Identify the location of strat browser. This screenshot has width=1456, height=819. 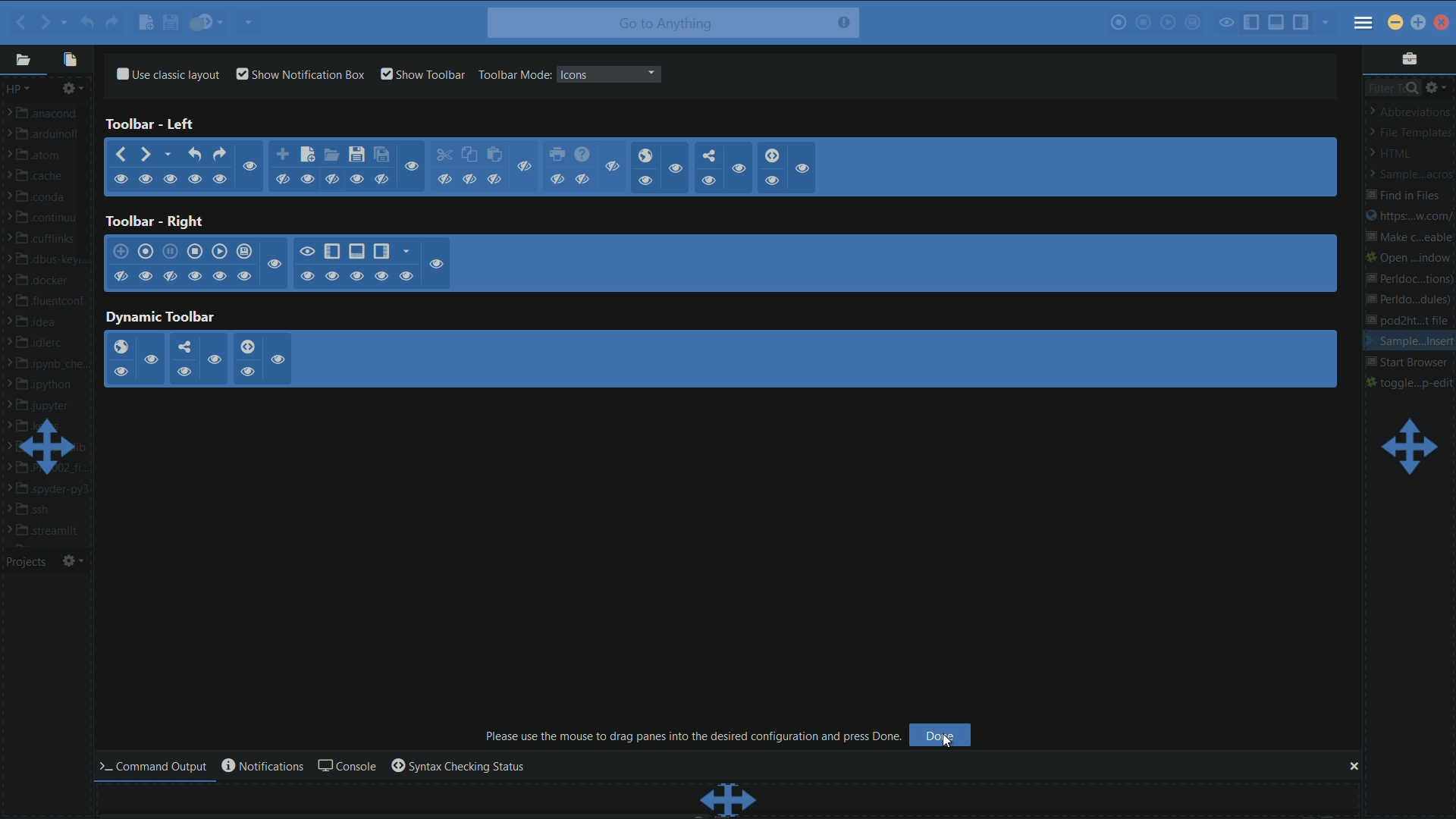
(1407, 363).